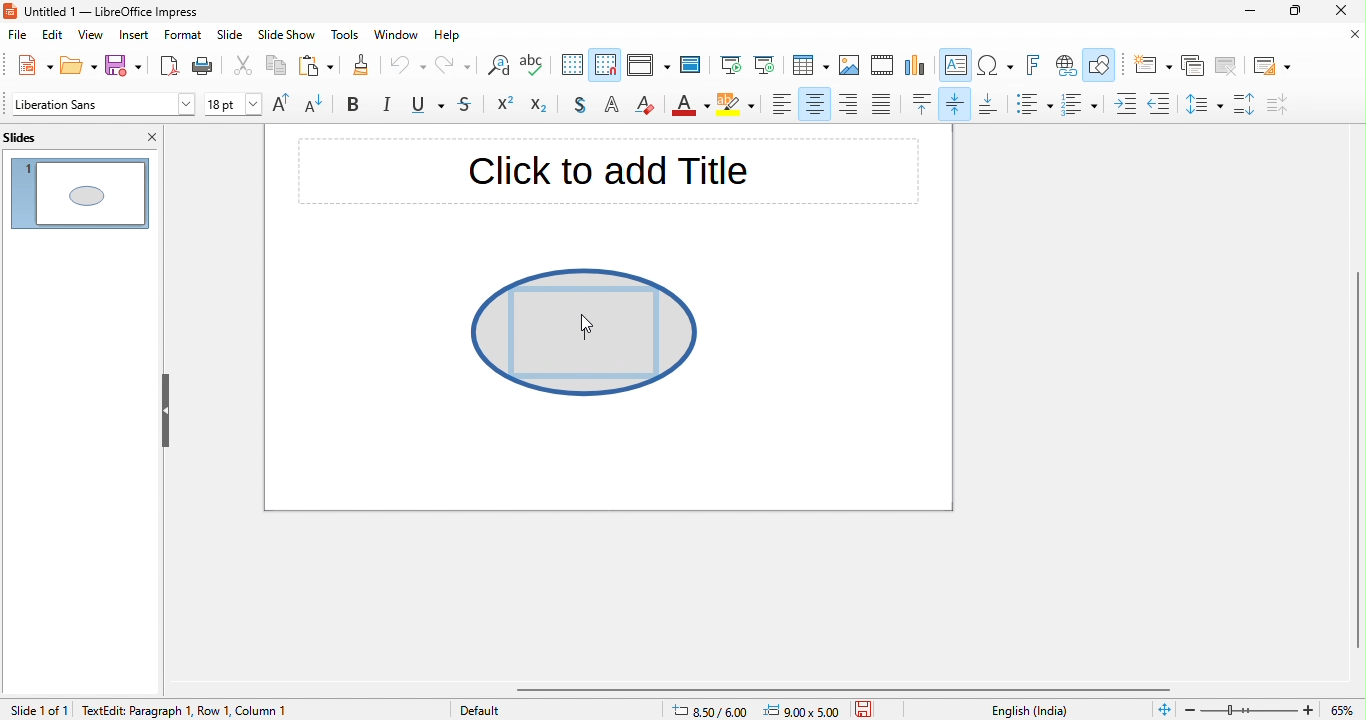 This screenshot has width=1366, height=720. Describe the element at coordinates (273, 67) in the screenshot. I see `copy` at that location.